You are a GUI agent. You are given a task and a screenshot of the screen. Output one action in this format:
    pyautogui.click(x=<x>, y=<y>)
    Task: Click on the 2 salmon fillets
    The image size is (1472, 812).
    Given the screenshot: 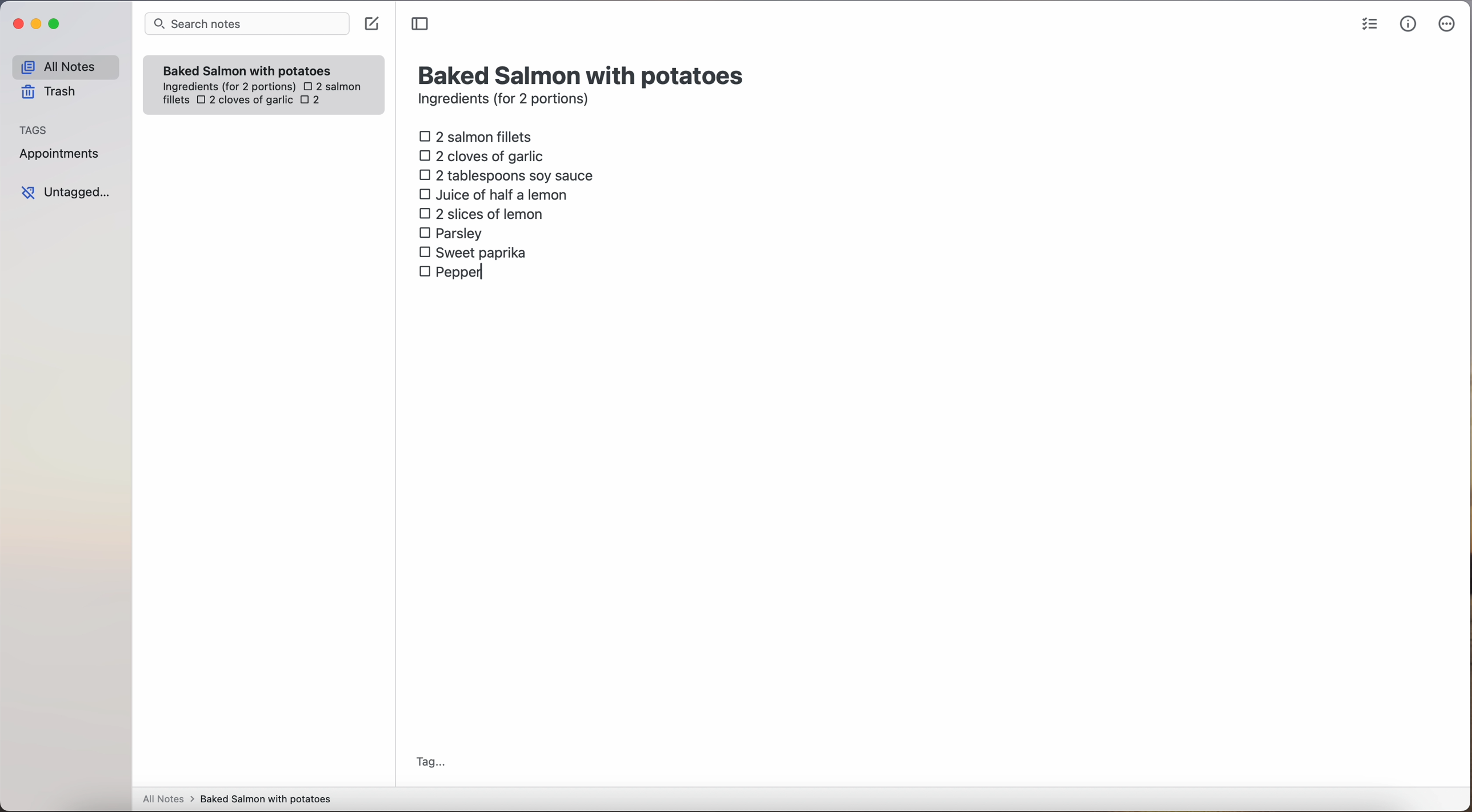 What is the action you would take?
    pyautogui.click(x=479, y=135)
    